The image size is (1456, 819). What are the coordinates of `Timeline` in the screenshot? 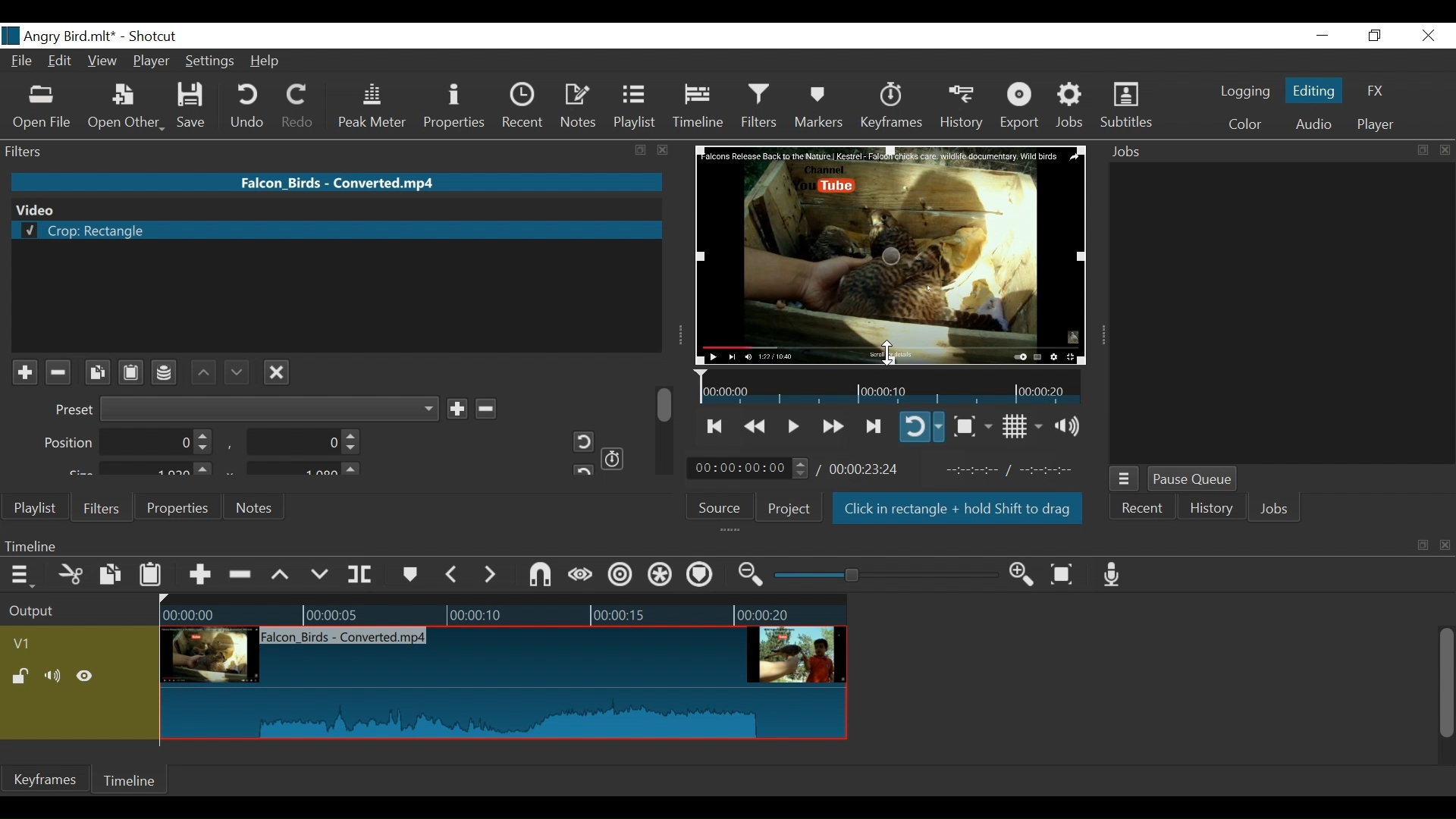 It's located at (699, 106).